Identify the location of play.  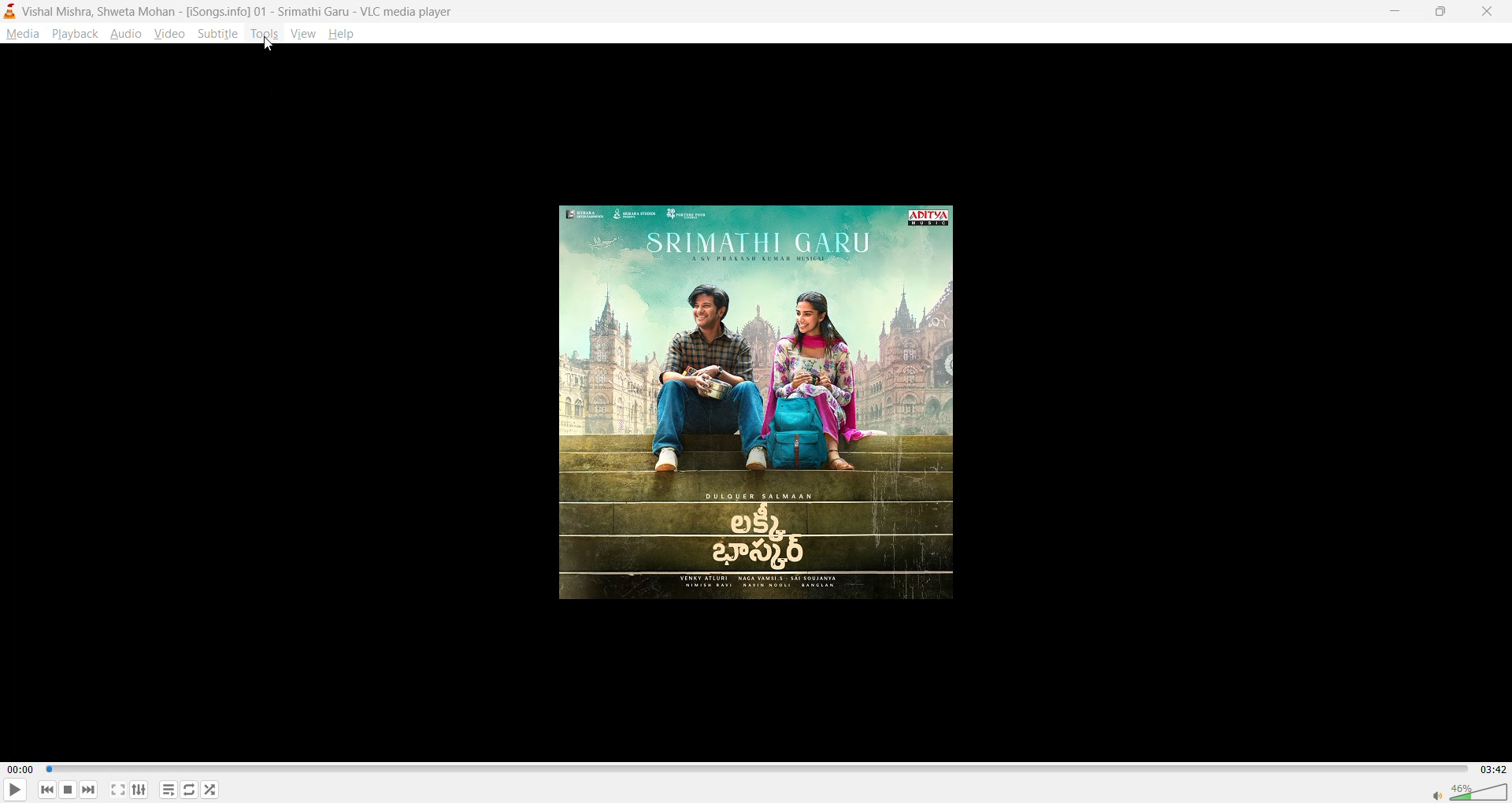
(9, 791).